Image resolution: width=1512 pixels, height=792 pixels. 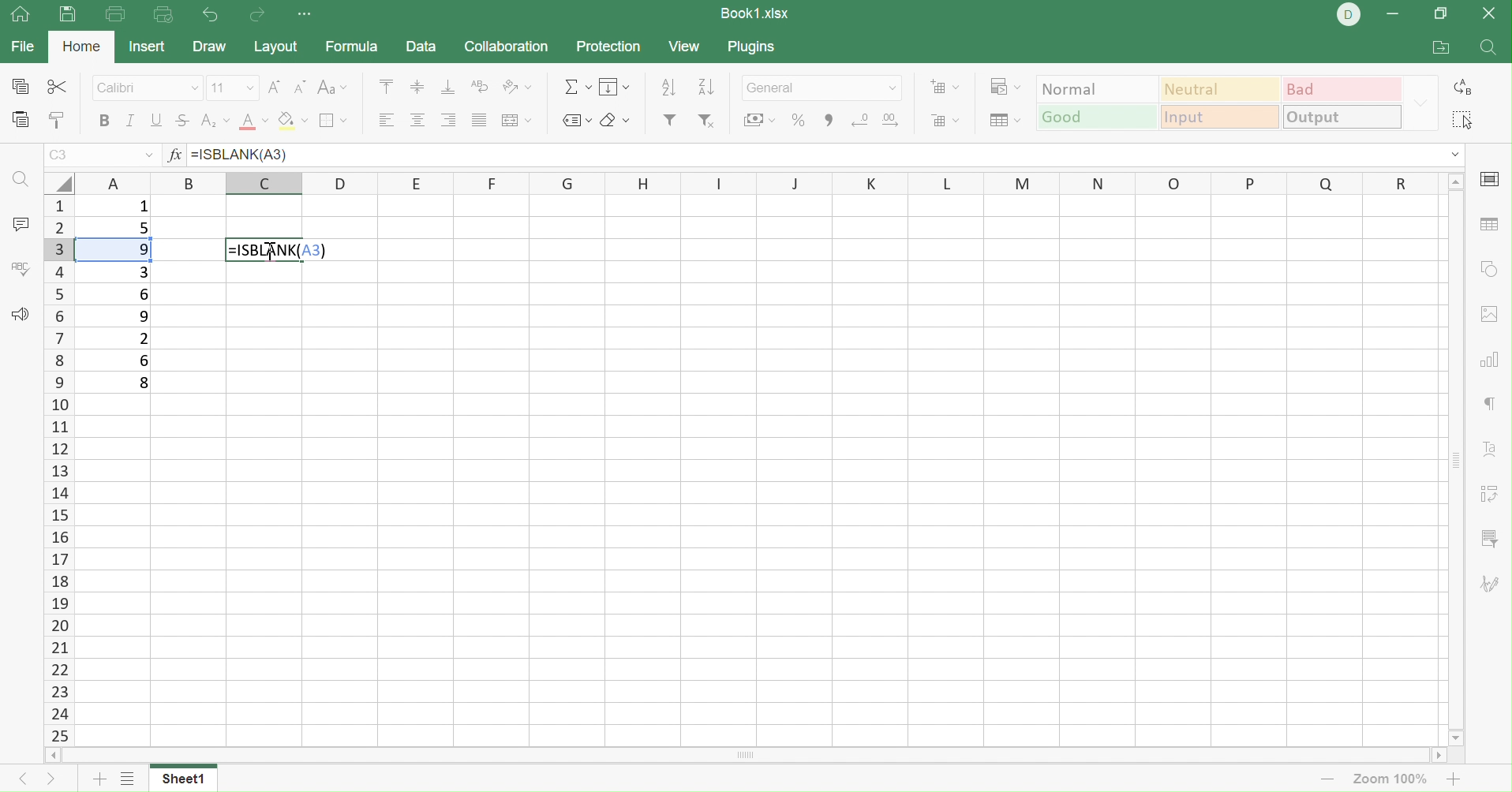 I want to click on Text art settings, so click(x=1491, y=447).